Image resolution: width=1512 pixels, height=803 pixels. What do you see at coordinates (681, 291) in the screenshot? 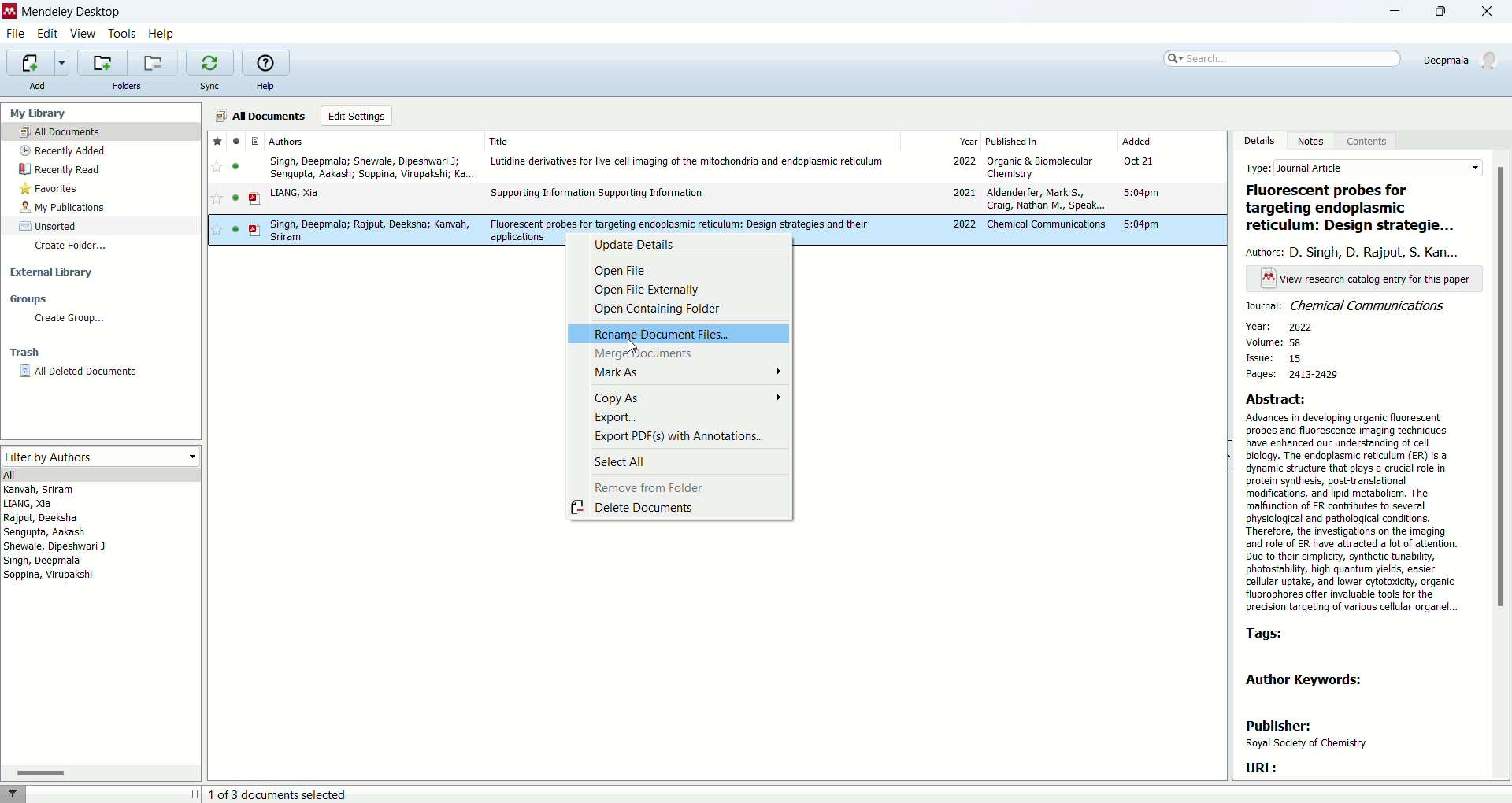
I see `open file externally` at bounding box center [681, 291].